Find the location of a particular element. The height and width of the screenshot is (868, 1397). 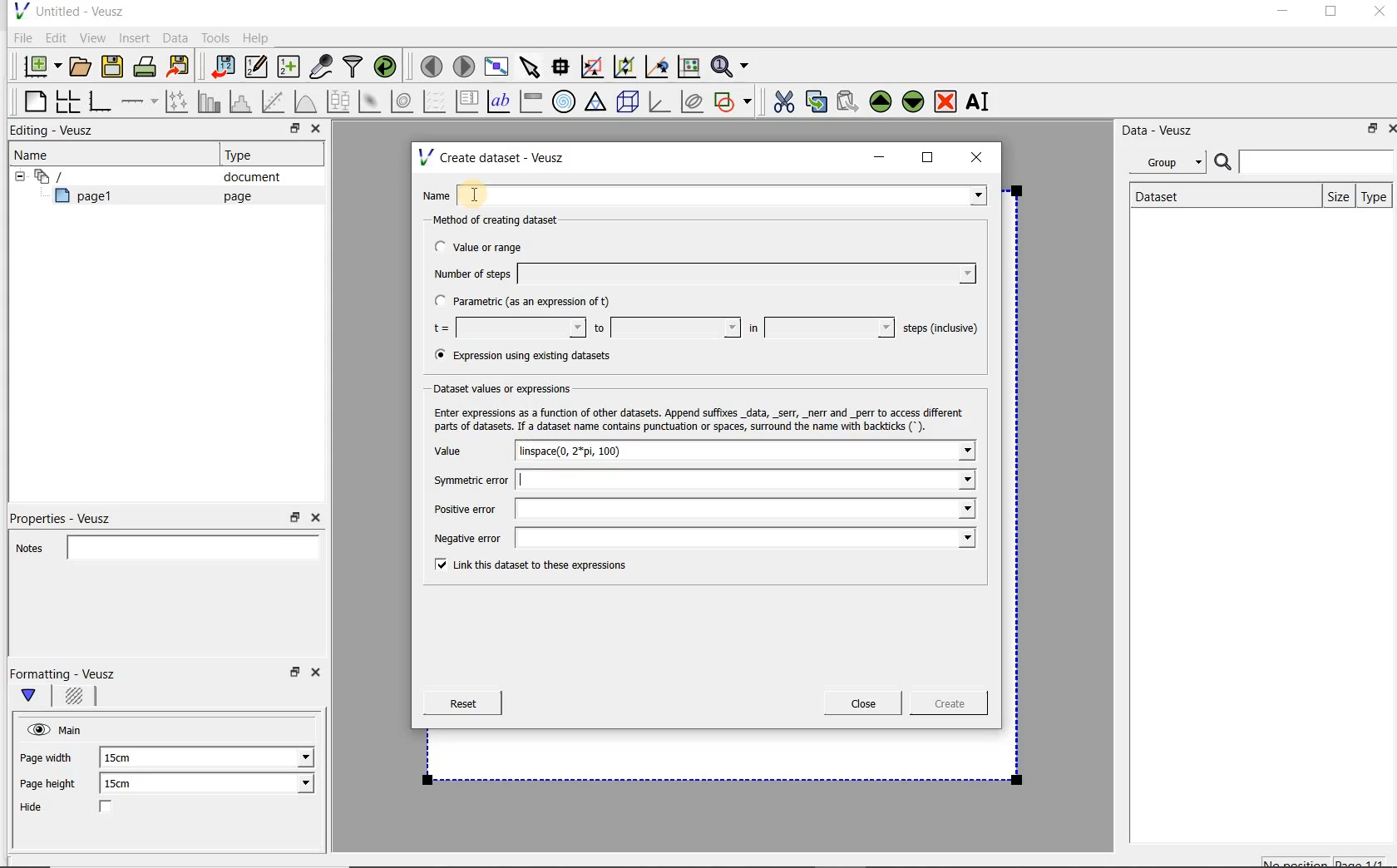

Insert is located at coordinates (136, 37).